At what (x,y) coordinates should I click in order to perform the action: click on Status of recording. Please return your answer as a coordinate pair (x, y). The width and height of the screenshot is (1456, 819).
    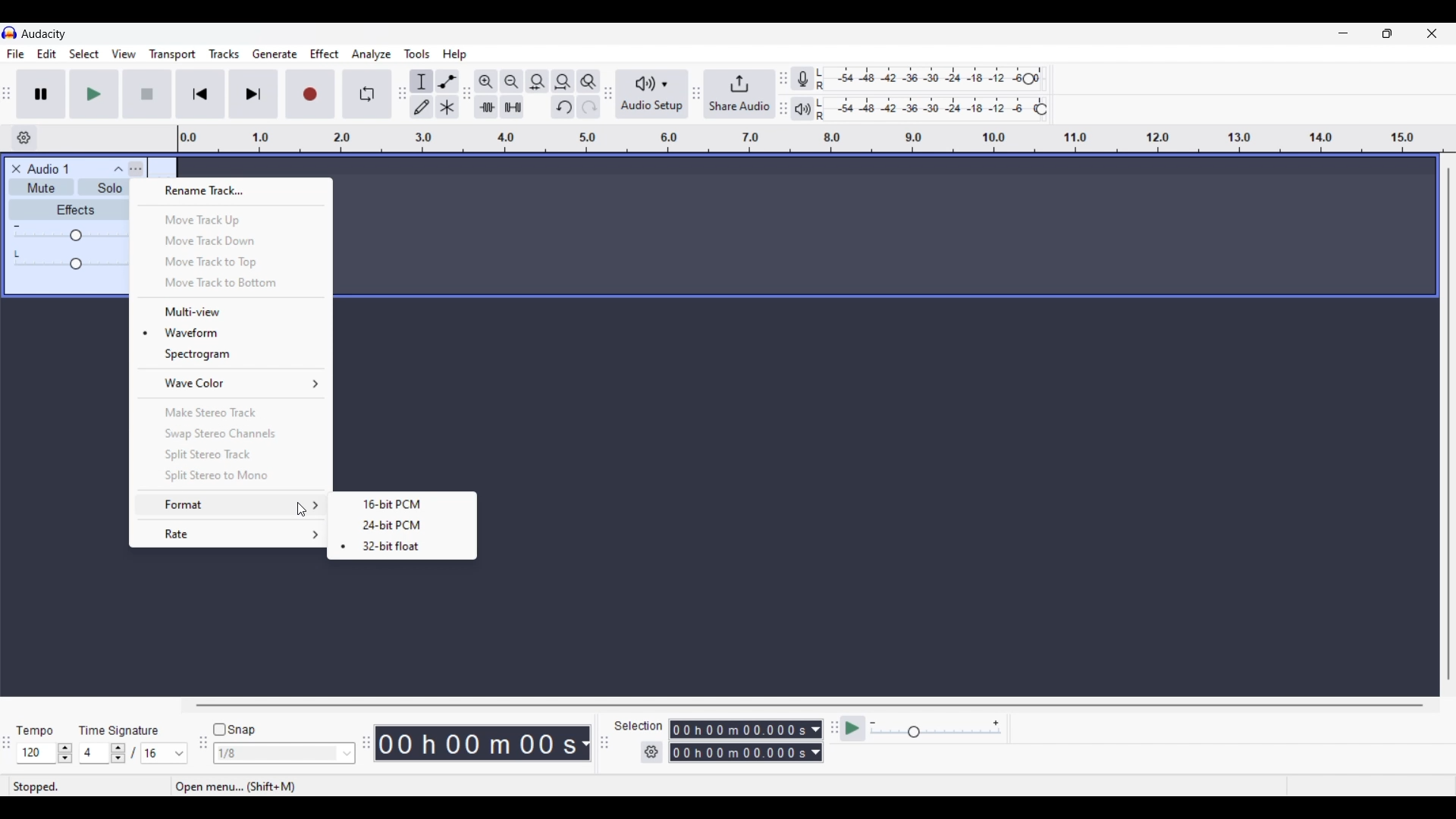
    Looking at the image, I should click on (80, 786).